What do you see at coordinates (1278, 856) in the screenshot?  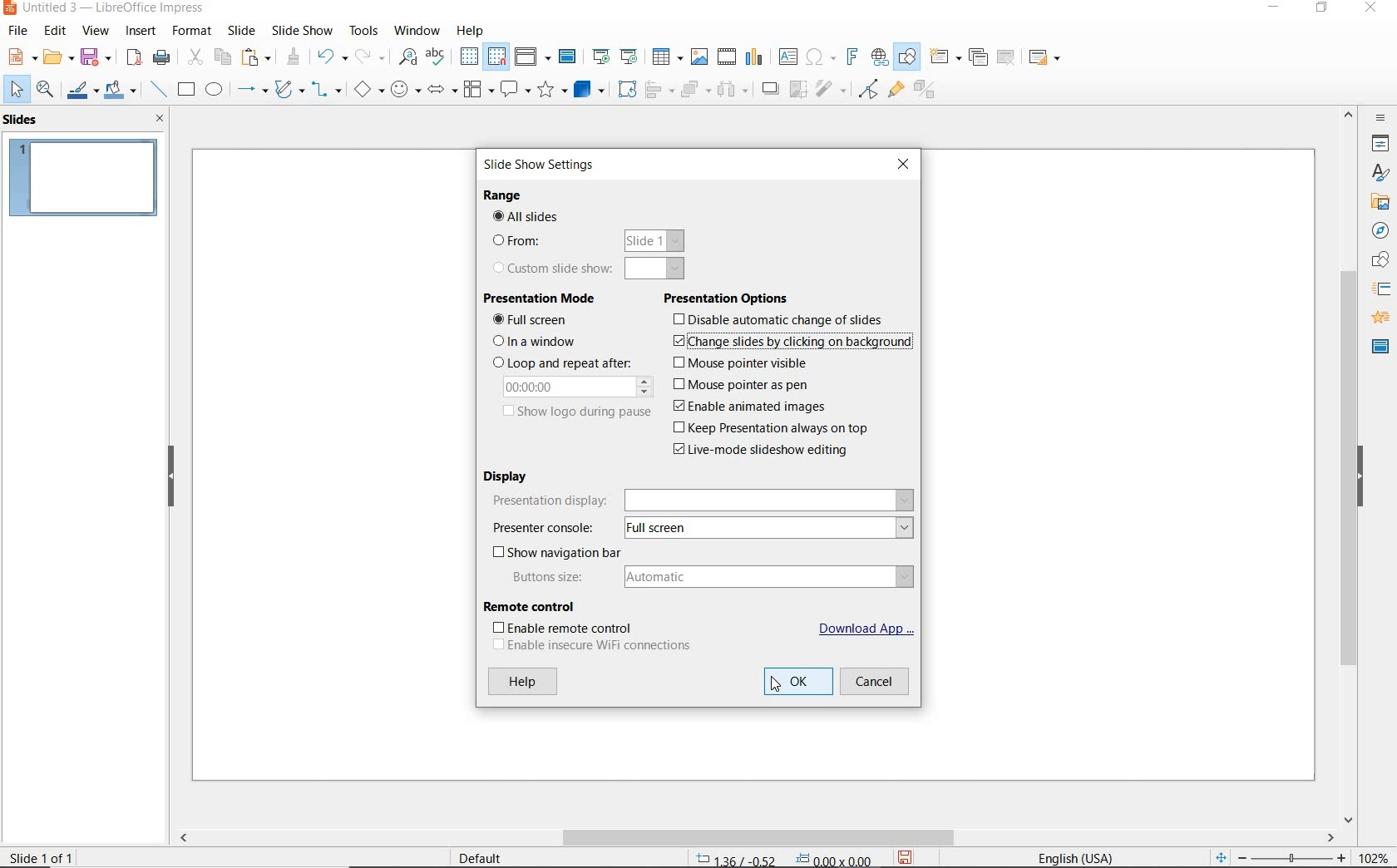 I see `ZOOM OUR OR ZOOM IN` at bounding box center [1278, 856].